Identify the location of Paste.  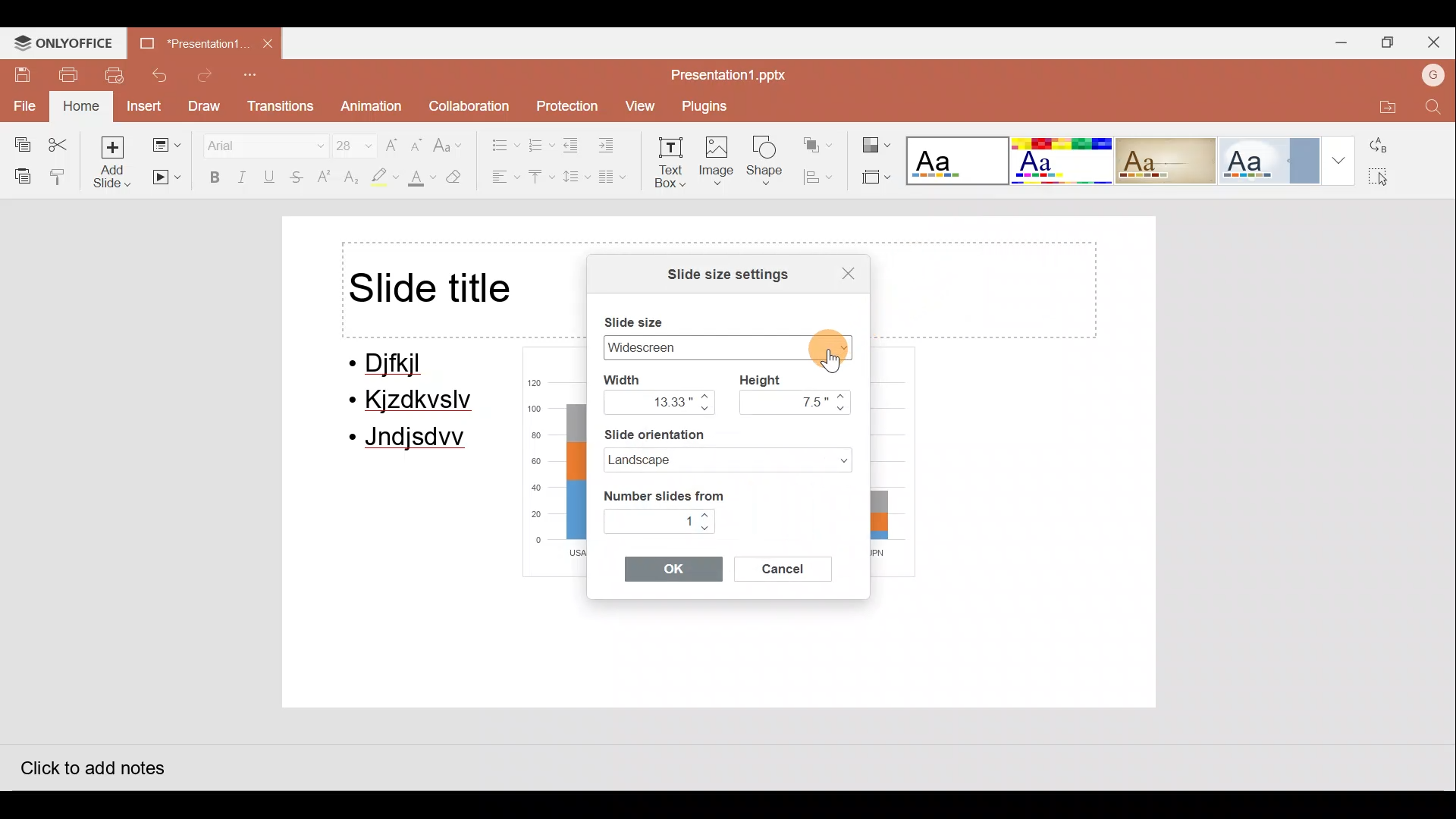
(19, 175).